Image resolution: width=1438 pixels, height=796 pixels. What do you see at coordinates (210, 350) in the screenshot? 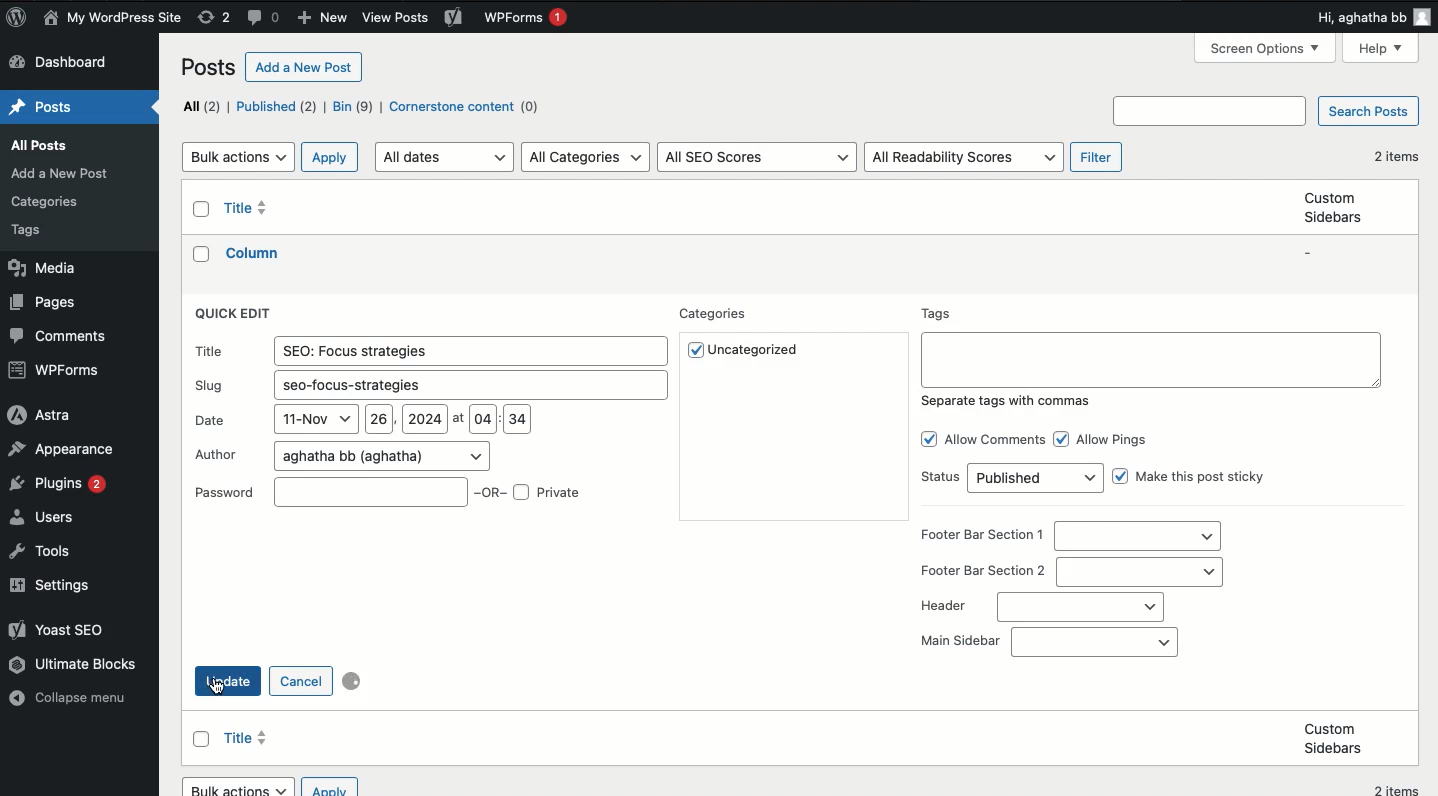
I see `Title` at bounding box center [210, 350].